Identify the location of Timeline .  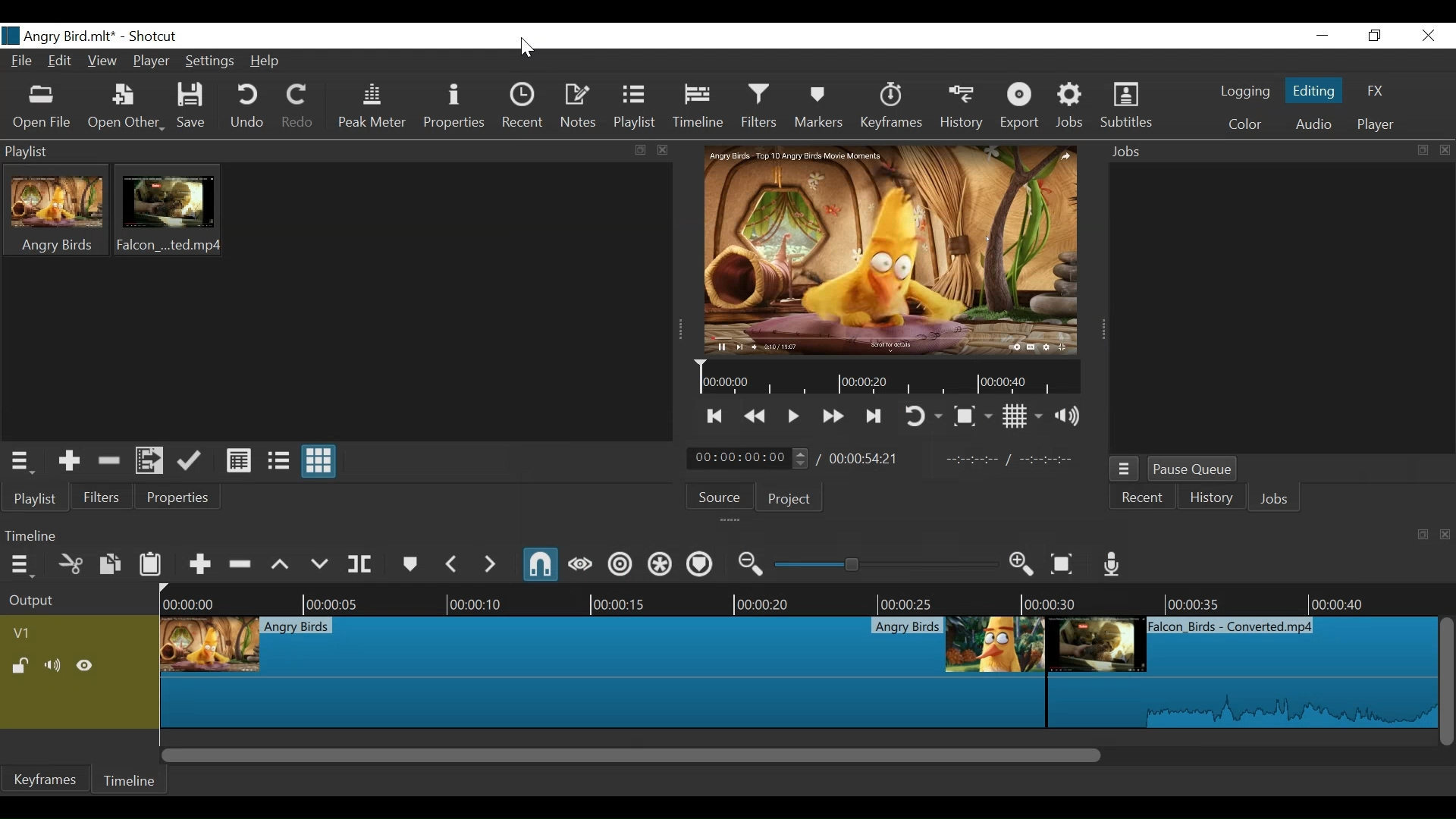
(888, 377).